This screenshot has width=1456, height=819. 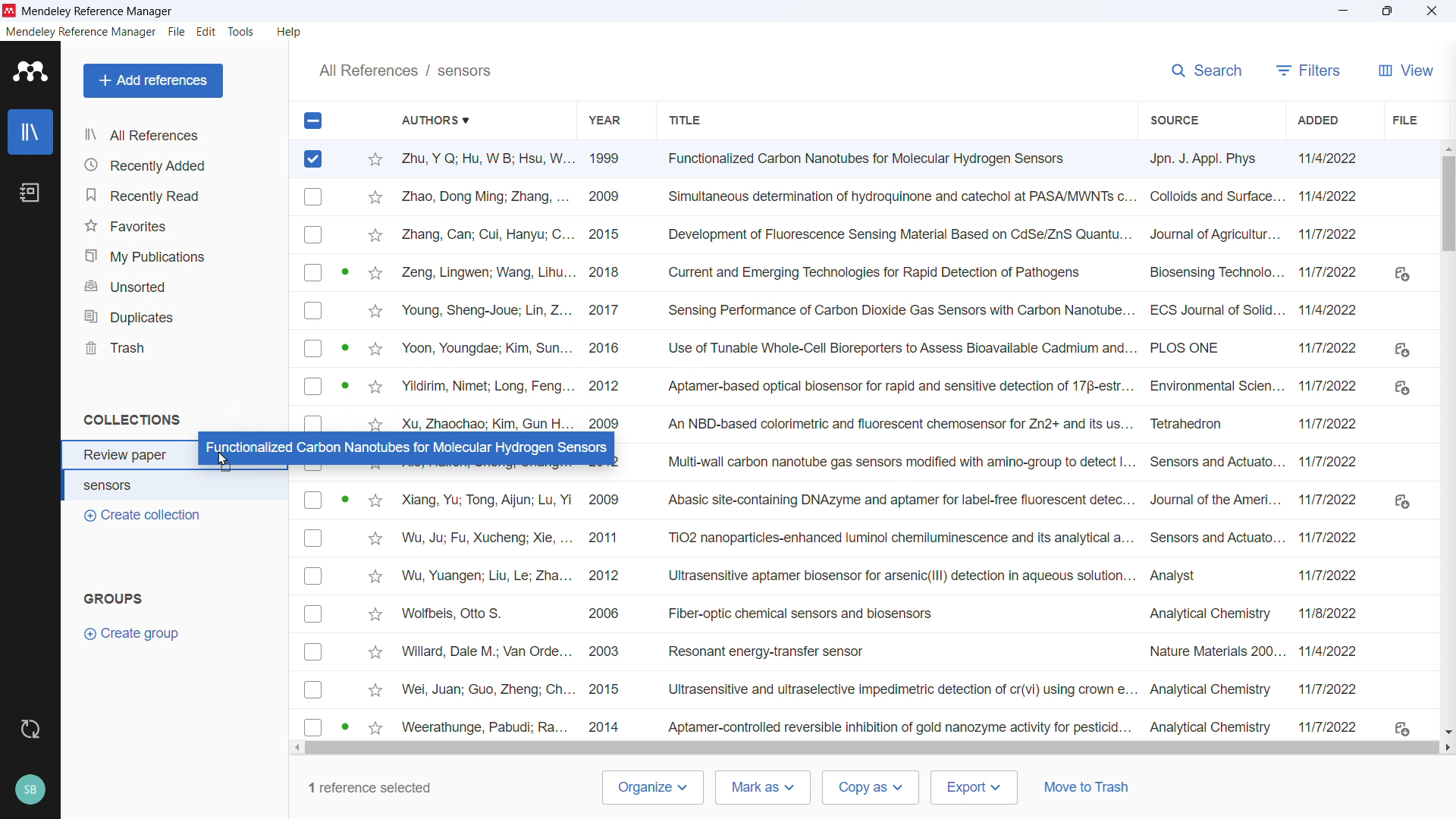 I want to click on file , so click(x=1403, y=120).